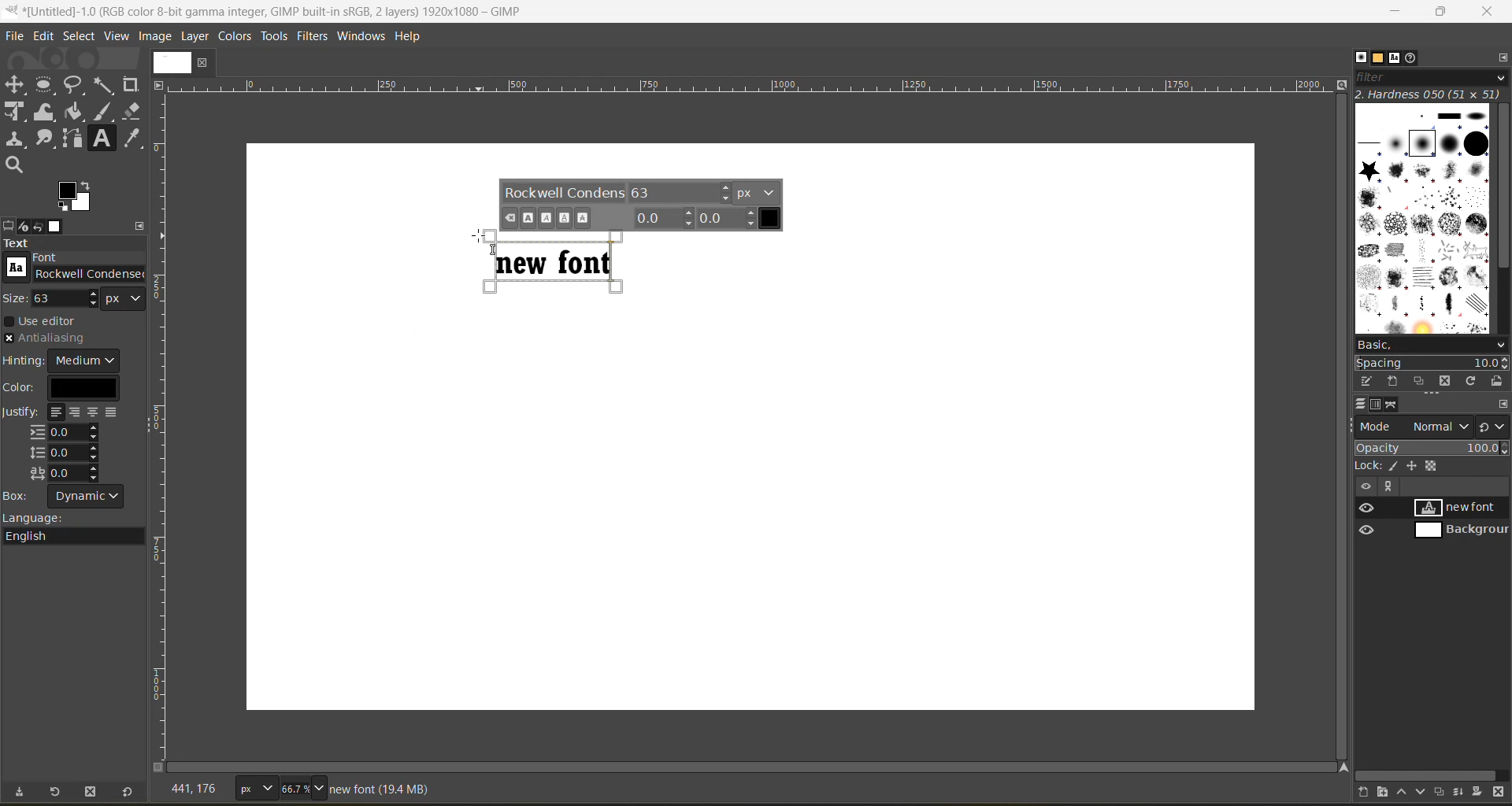 This screenshot has height=806, width=1512. Describe the element at coordinates (384, 788) in the screenshot. I see `metadata` at that location.